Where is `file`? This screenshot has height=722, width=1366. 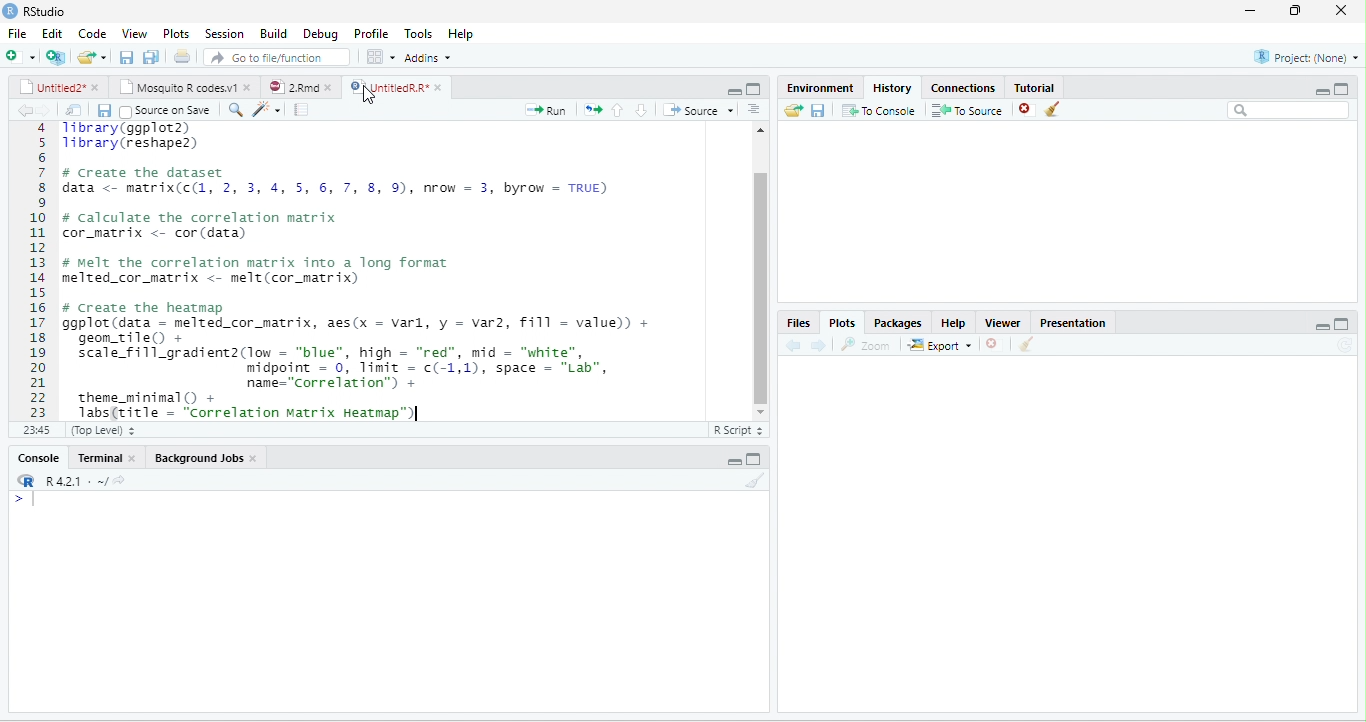 file is located at coordinates (17, 33).